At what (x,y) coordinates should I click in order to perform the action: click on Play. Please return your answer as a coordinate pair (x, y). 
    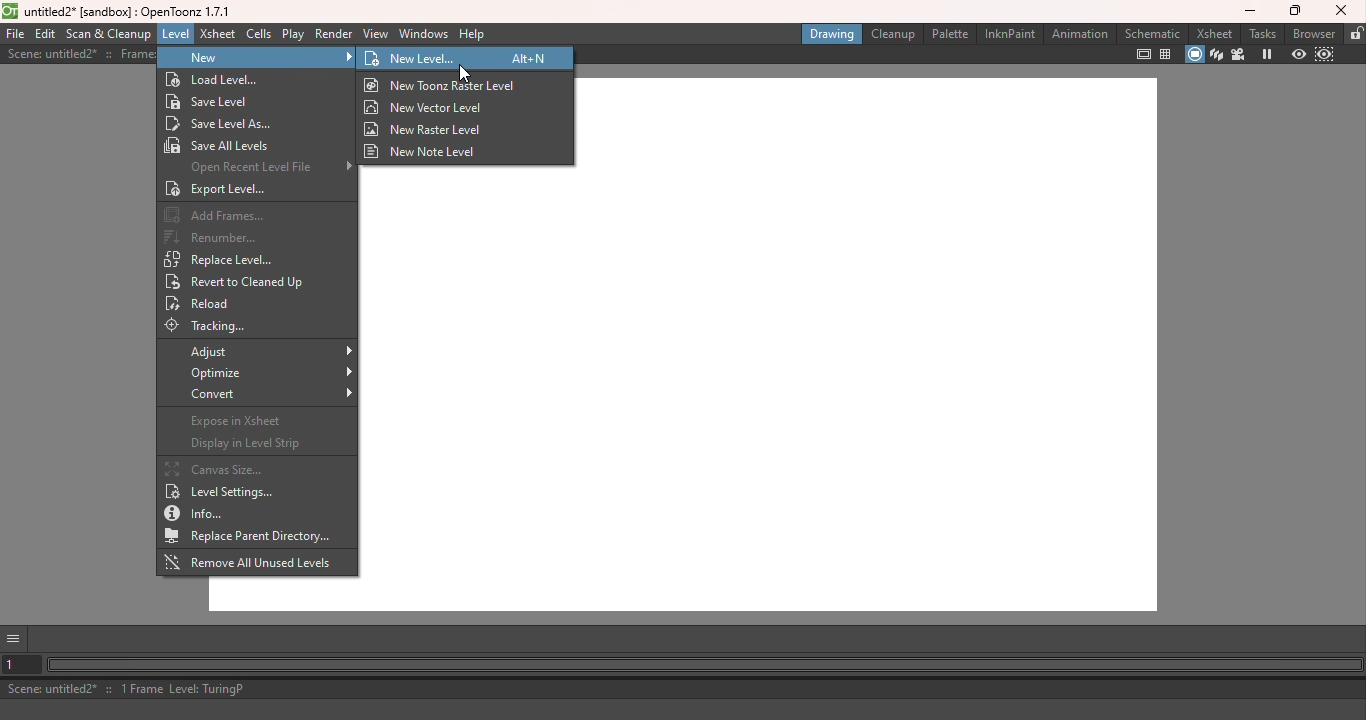
    Looking at the image, I should click on (293, 34).